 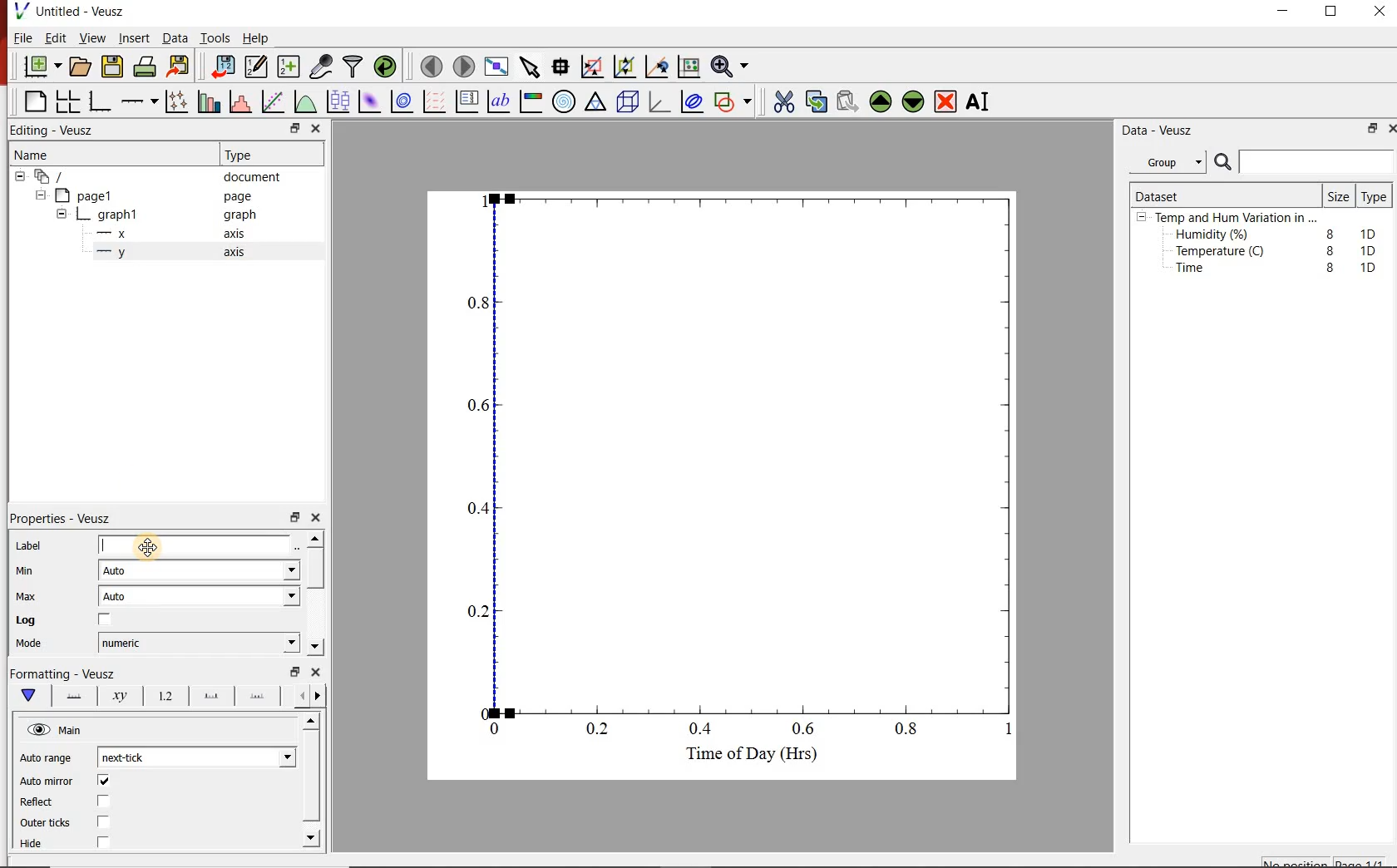 What do you see at coordinates (1304, 162) in the screenshot?
I see `Search bar` at bounding box center [1304, 162].